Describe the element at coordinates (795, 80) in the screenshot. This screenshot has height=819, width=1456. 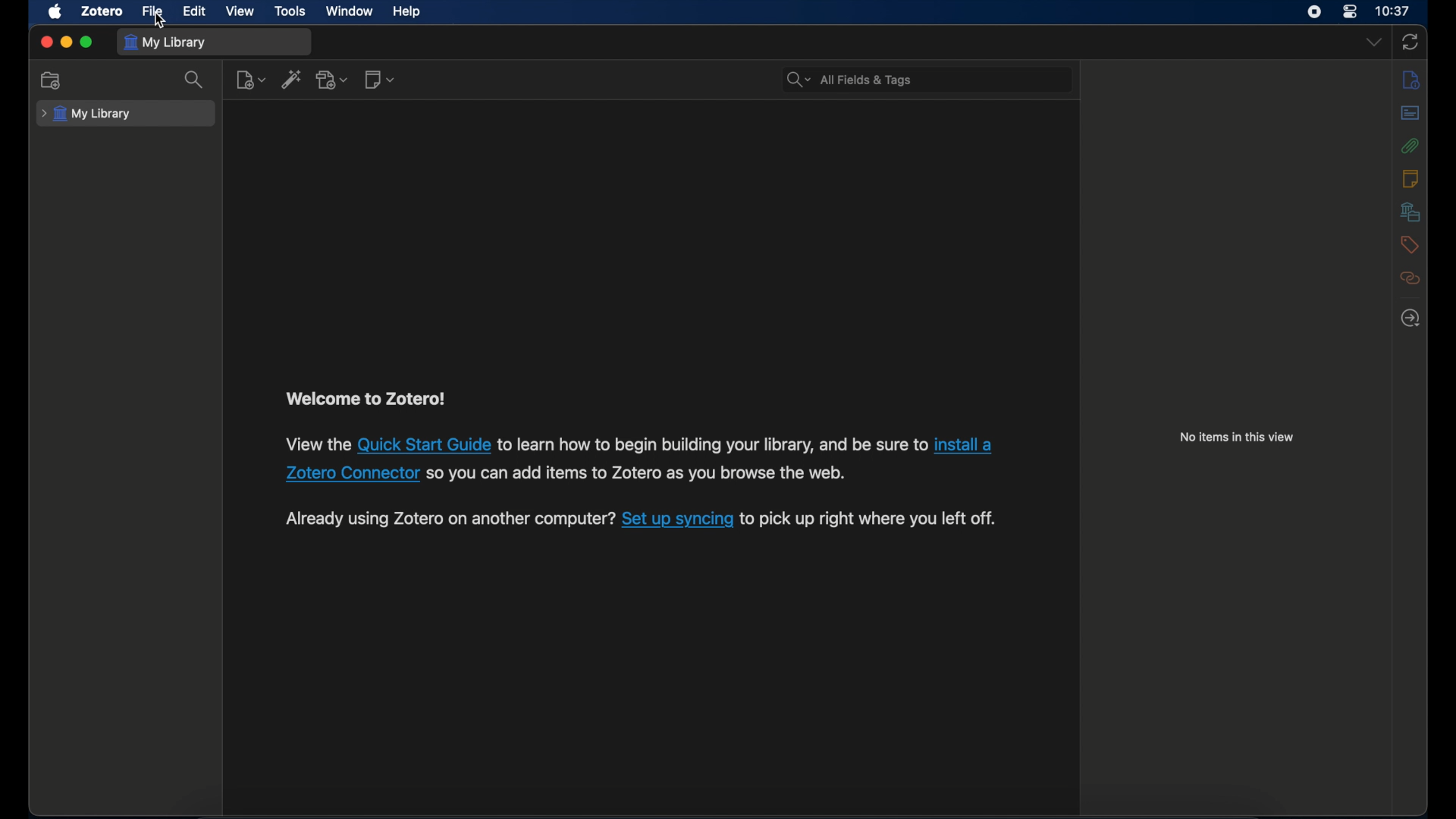
I see `search bar dropdown` at that location.